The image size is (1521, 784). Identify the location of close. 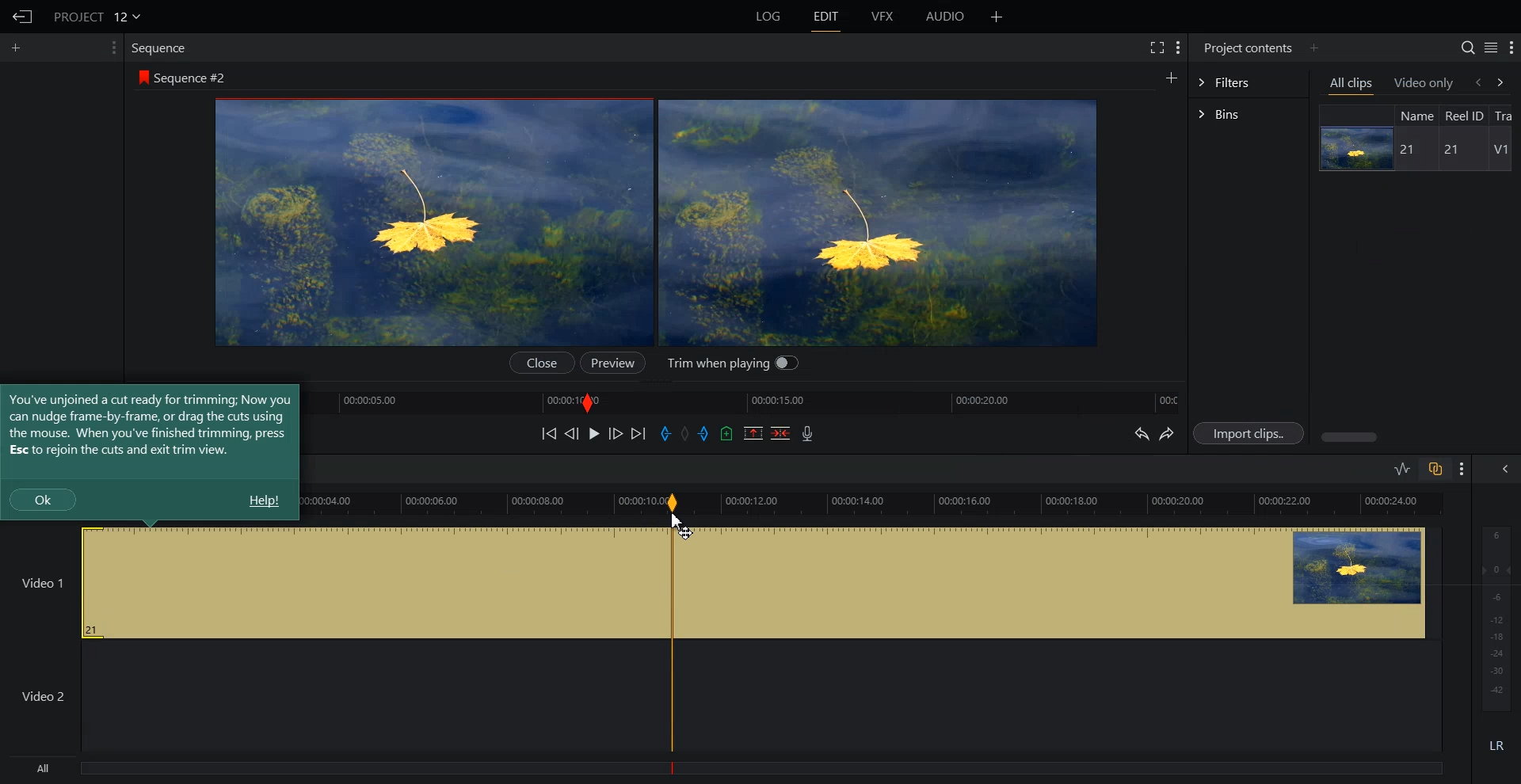
(545, 363).